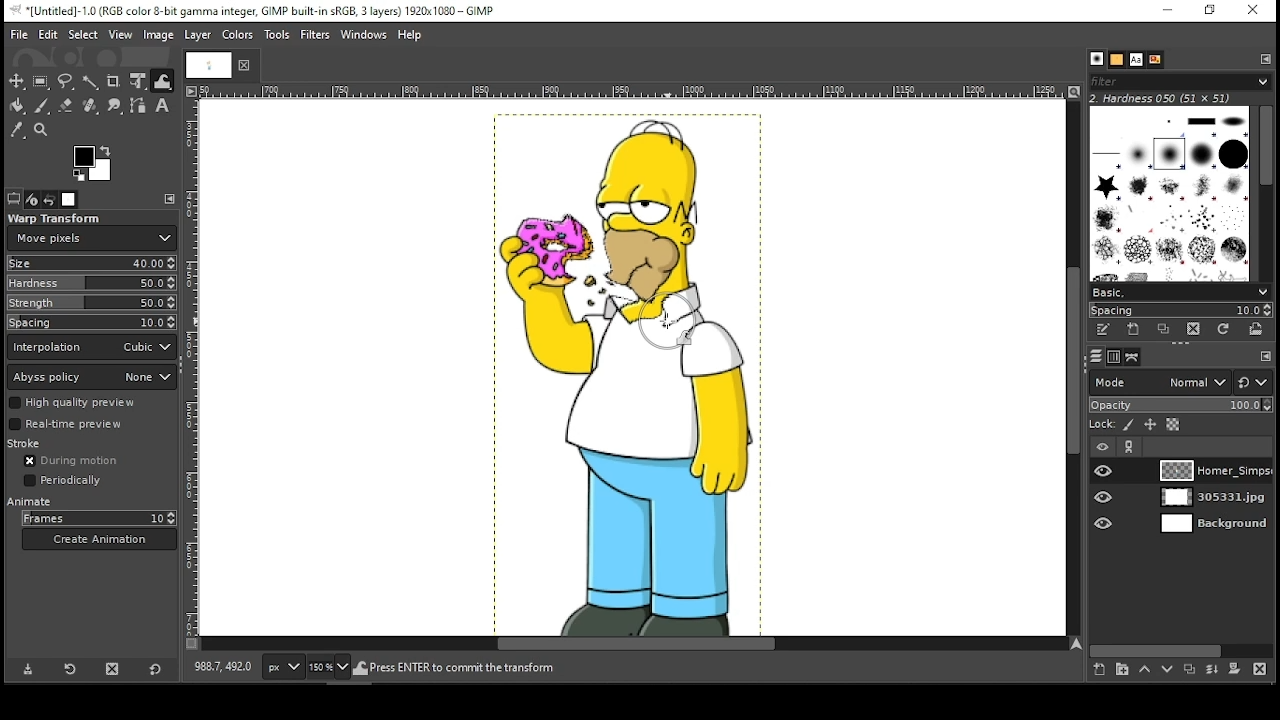  I want to click on stroke, so click(36, 444).